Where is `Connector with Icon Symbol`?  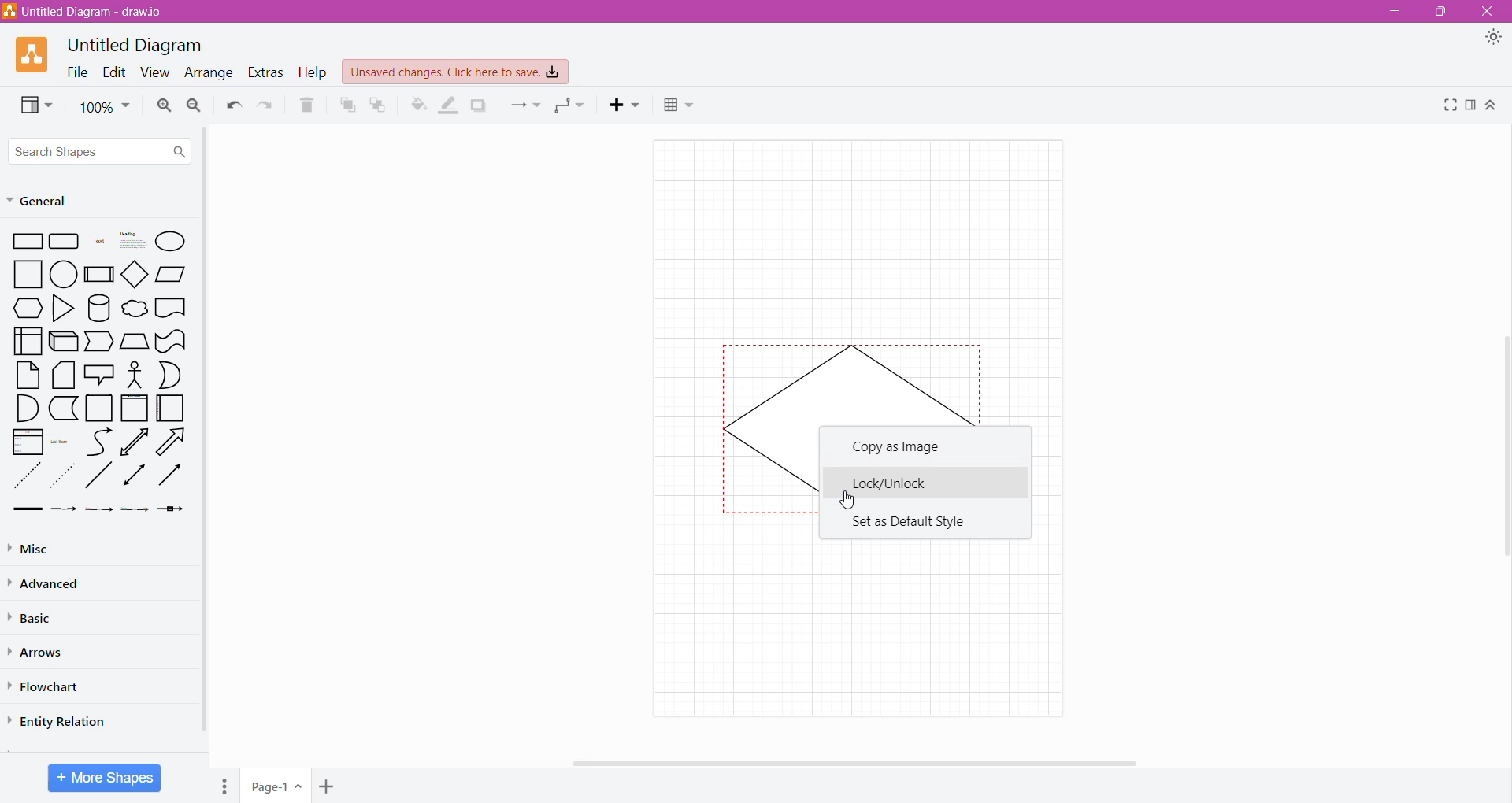
Connector with Icon Symbol is located at coordinates (175, 510).